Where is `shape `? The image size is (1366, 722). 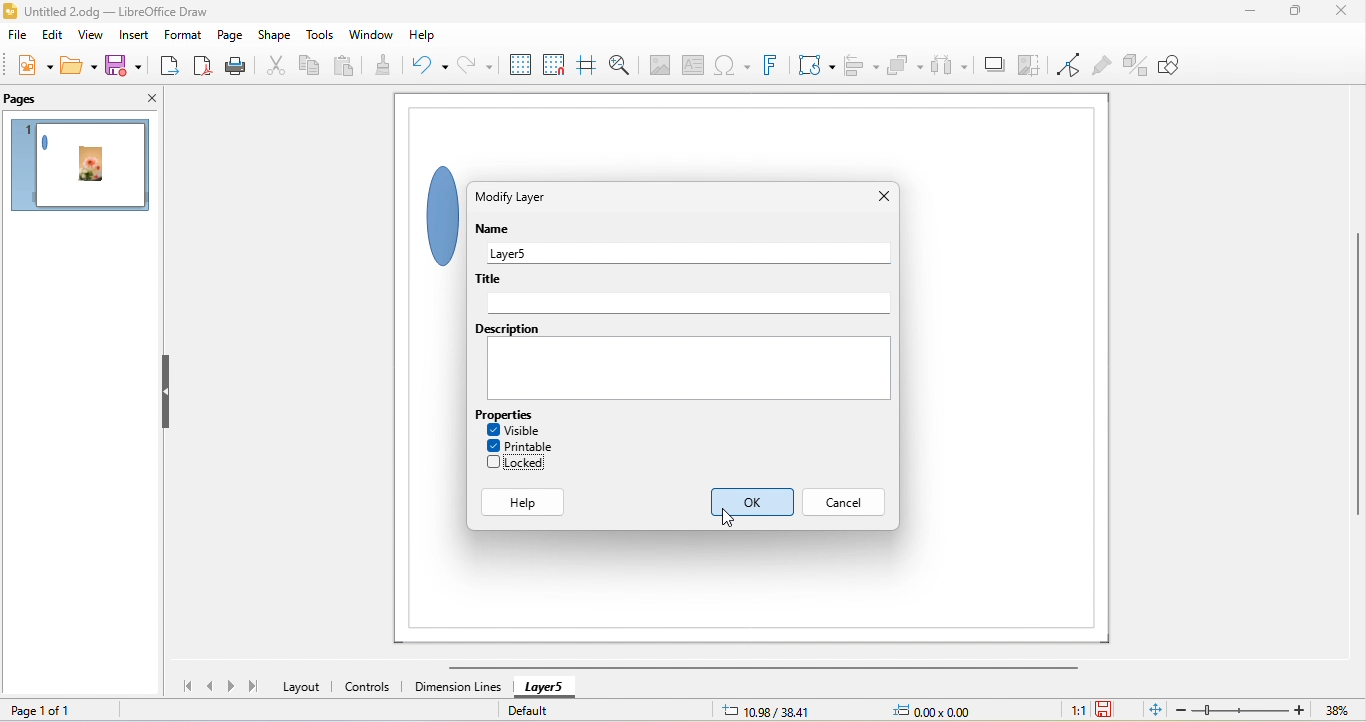 shape  is located at coordinates (277, 35).